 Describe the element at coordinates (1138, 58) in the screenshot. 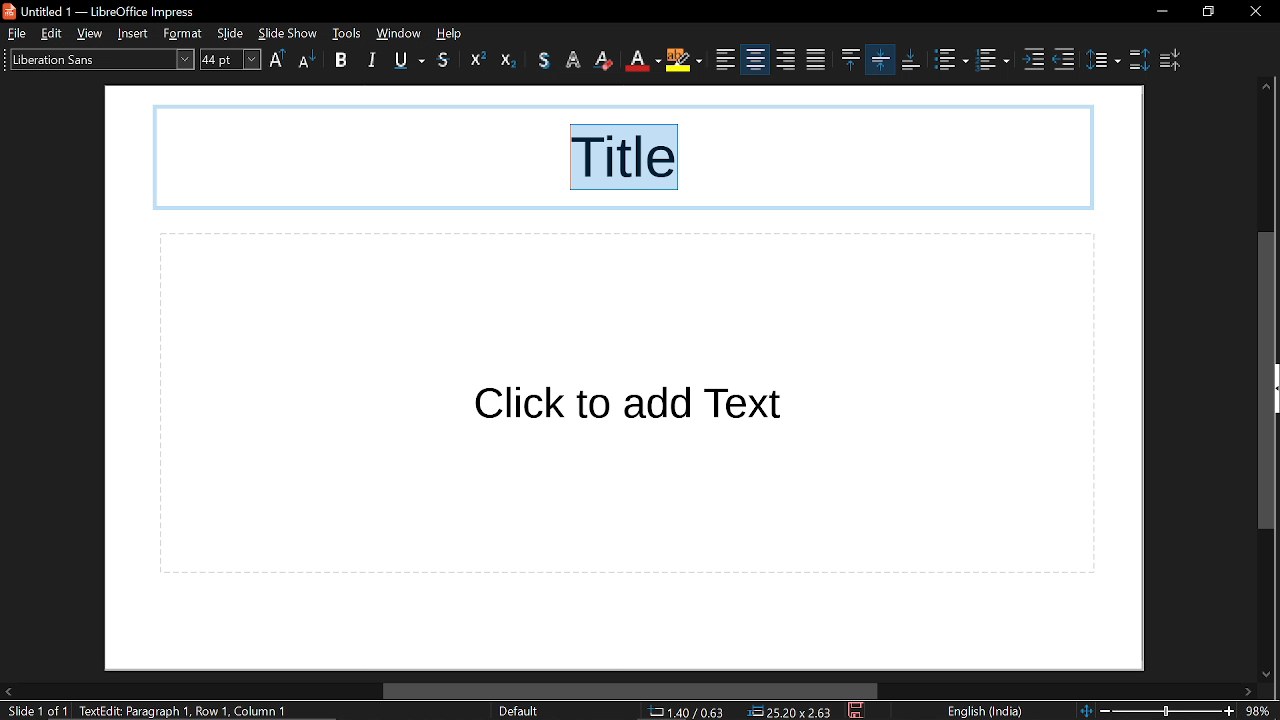

I see `increase paragraph spacing` at that location.